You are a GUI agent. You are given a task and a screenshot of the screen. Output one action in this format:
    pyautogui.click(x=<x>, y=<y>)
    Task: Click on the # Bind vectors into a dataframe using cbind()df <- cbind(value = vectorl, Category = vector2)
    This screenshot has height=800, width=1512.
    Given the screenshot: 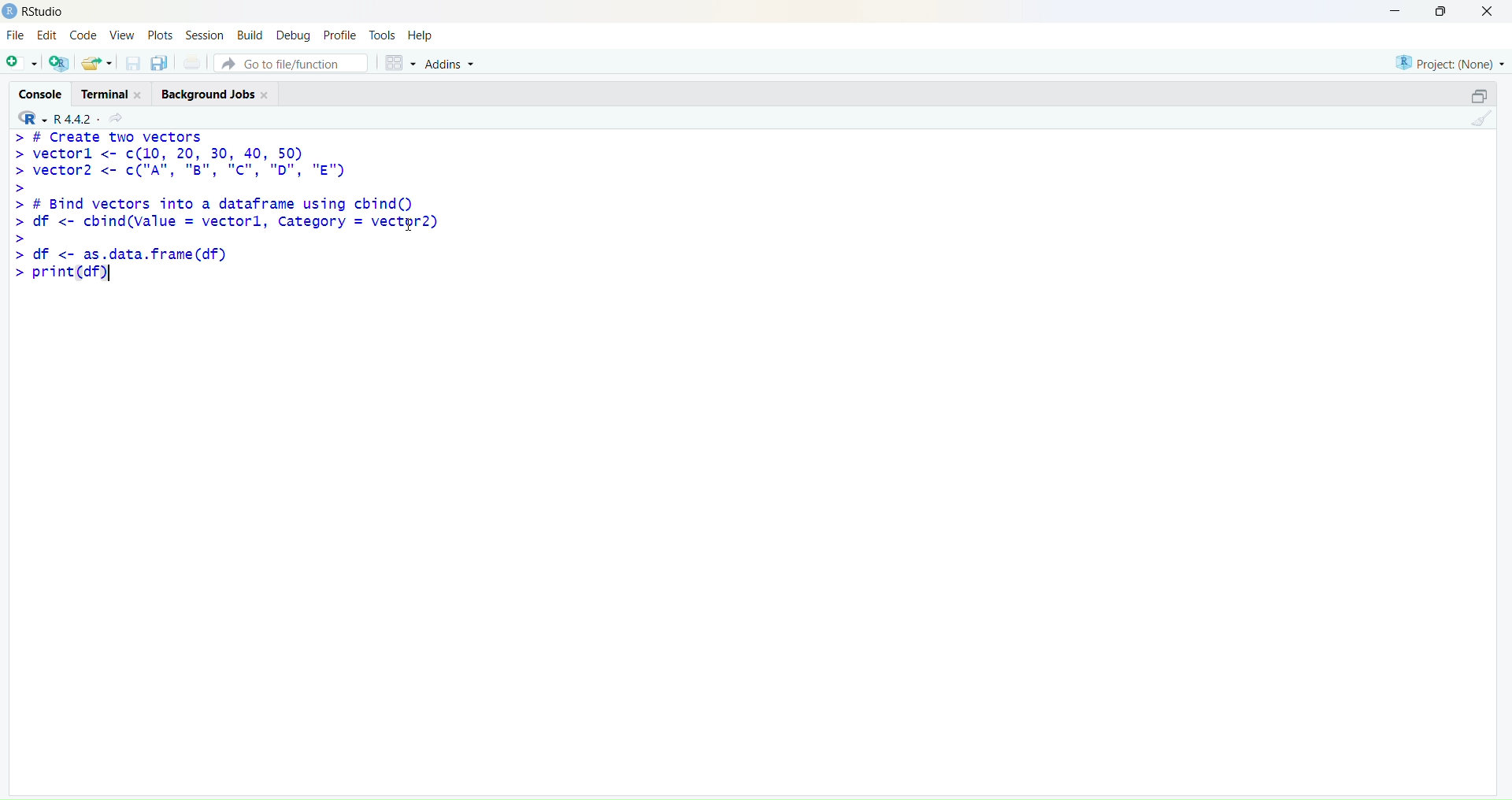 What is the action you would take?
    pyautogui.click(x=225, y=220)
    